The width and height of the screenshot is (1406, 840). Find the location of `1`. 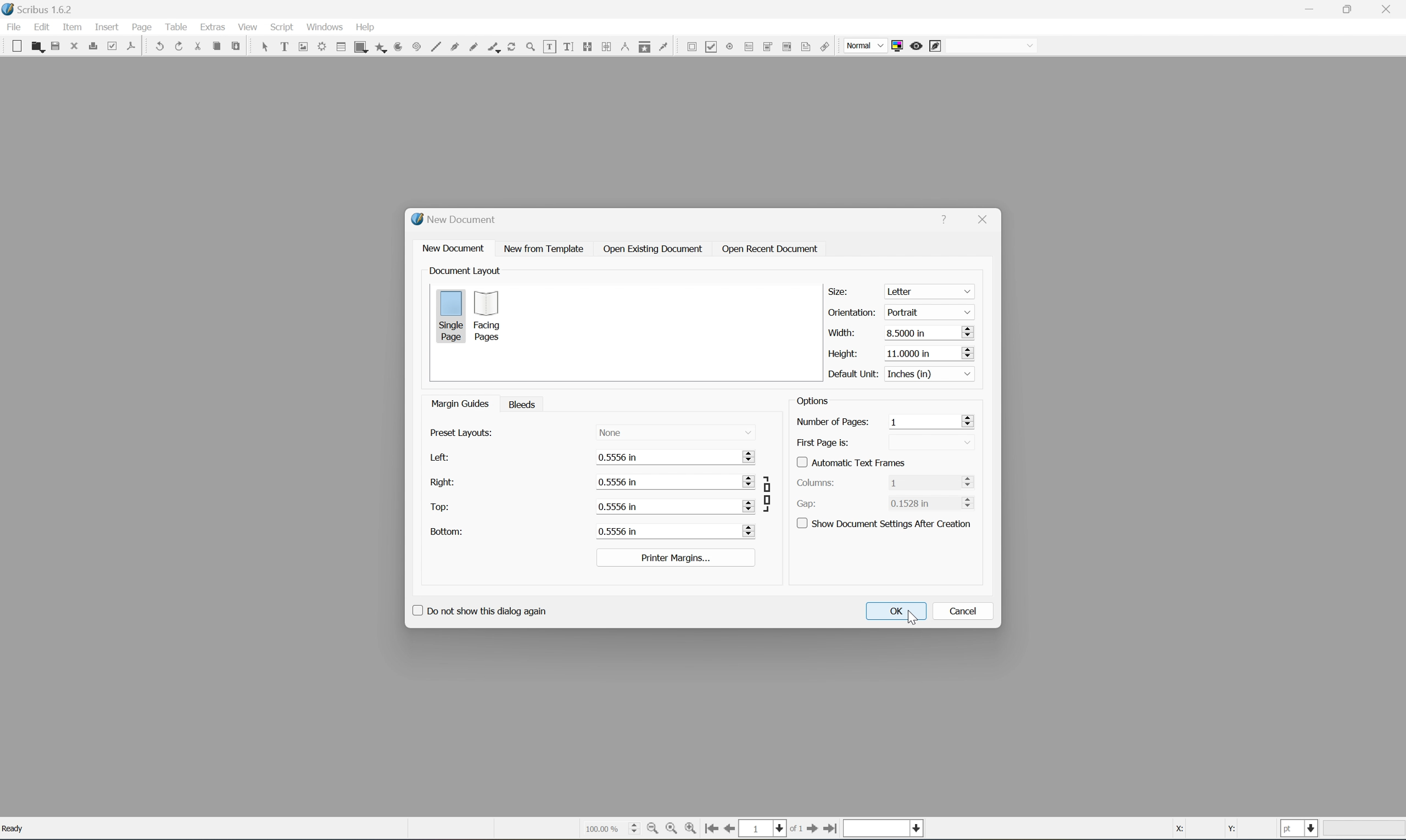

1 is located at coordinates (931, 482).